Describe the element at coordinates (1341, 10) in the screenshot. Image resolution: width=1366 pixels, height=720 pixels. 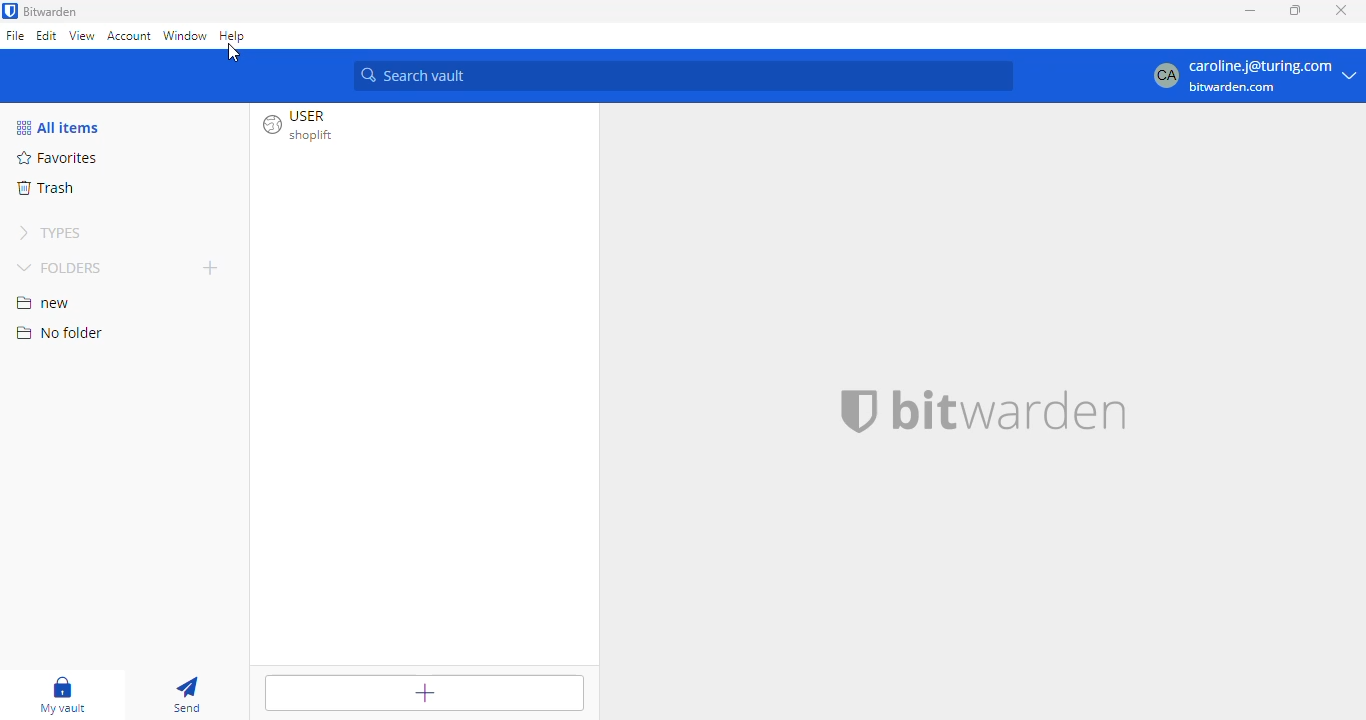
I see `close` at that location.